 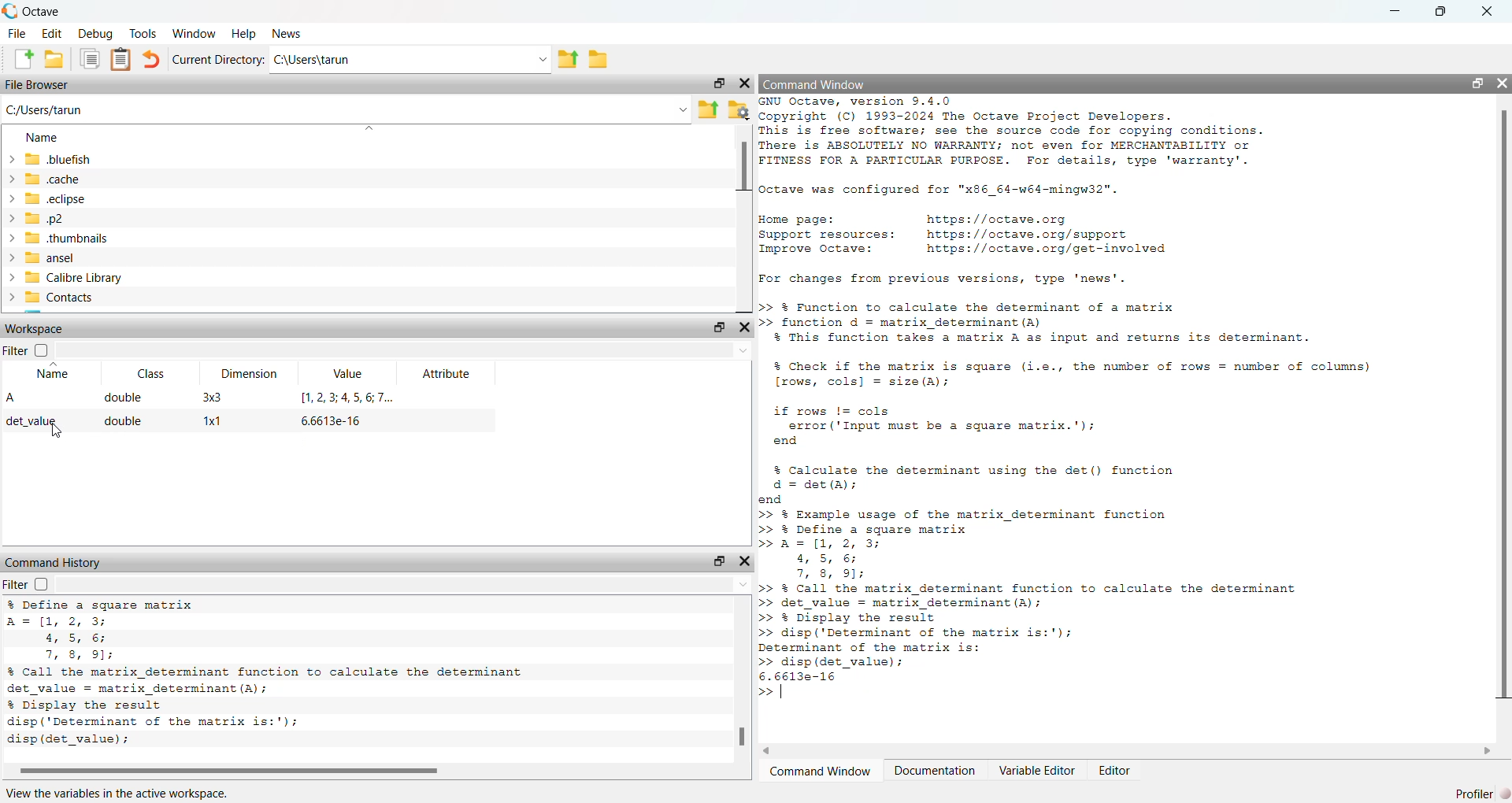 I want to click on calibre library, so click(x=65, y=278).